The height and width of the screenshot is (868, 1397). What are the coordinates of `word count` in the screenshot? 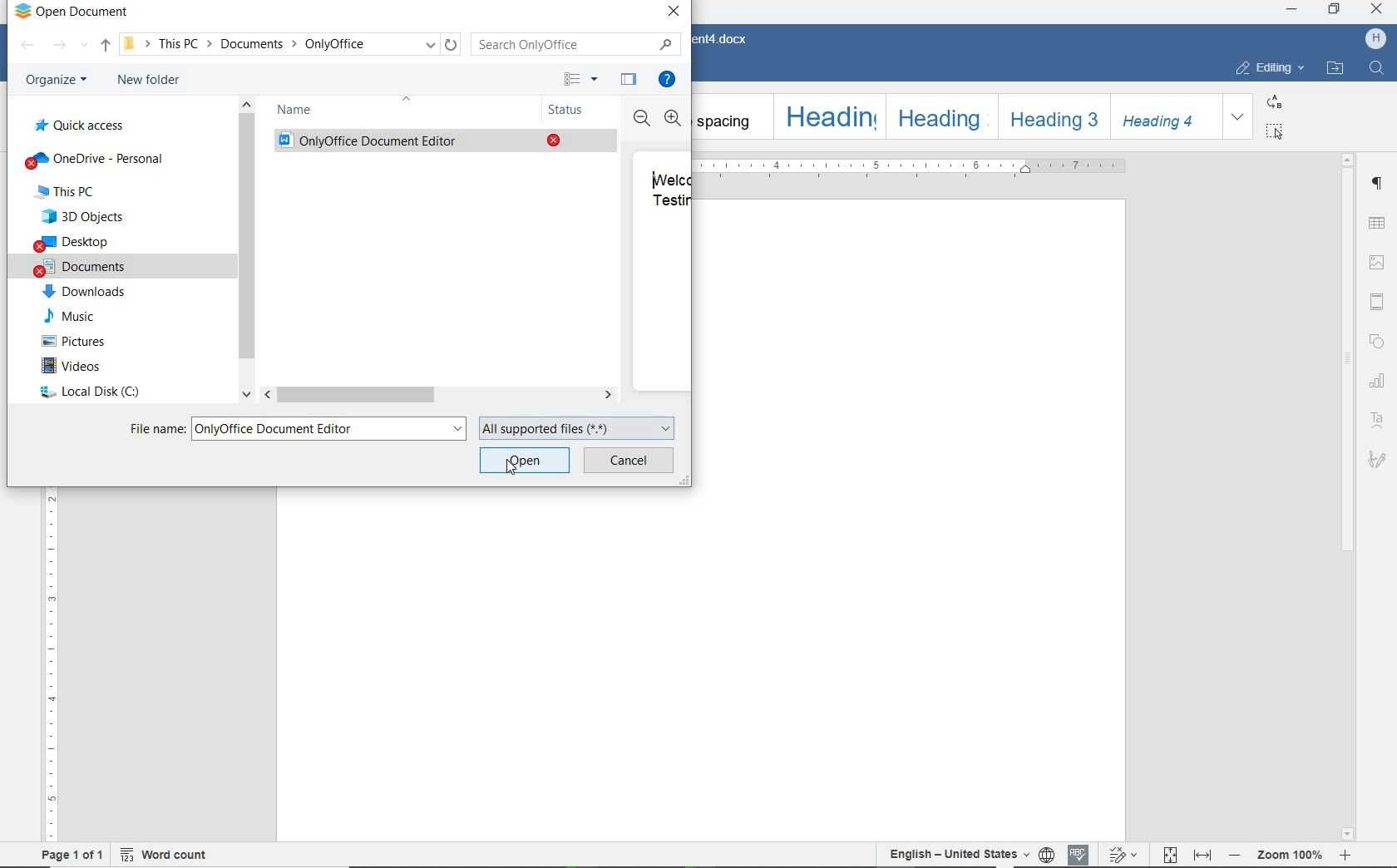 It's located at (165, 856).